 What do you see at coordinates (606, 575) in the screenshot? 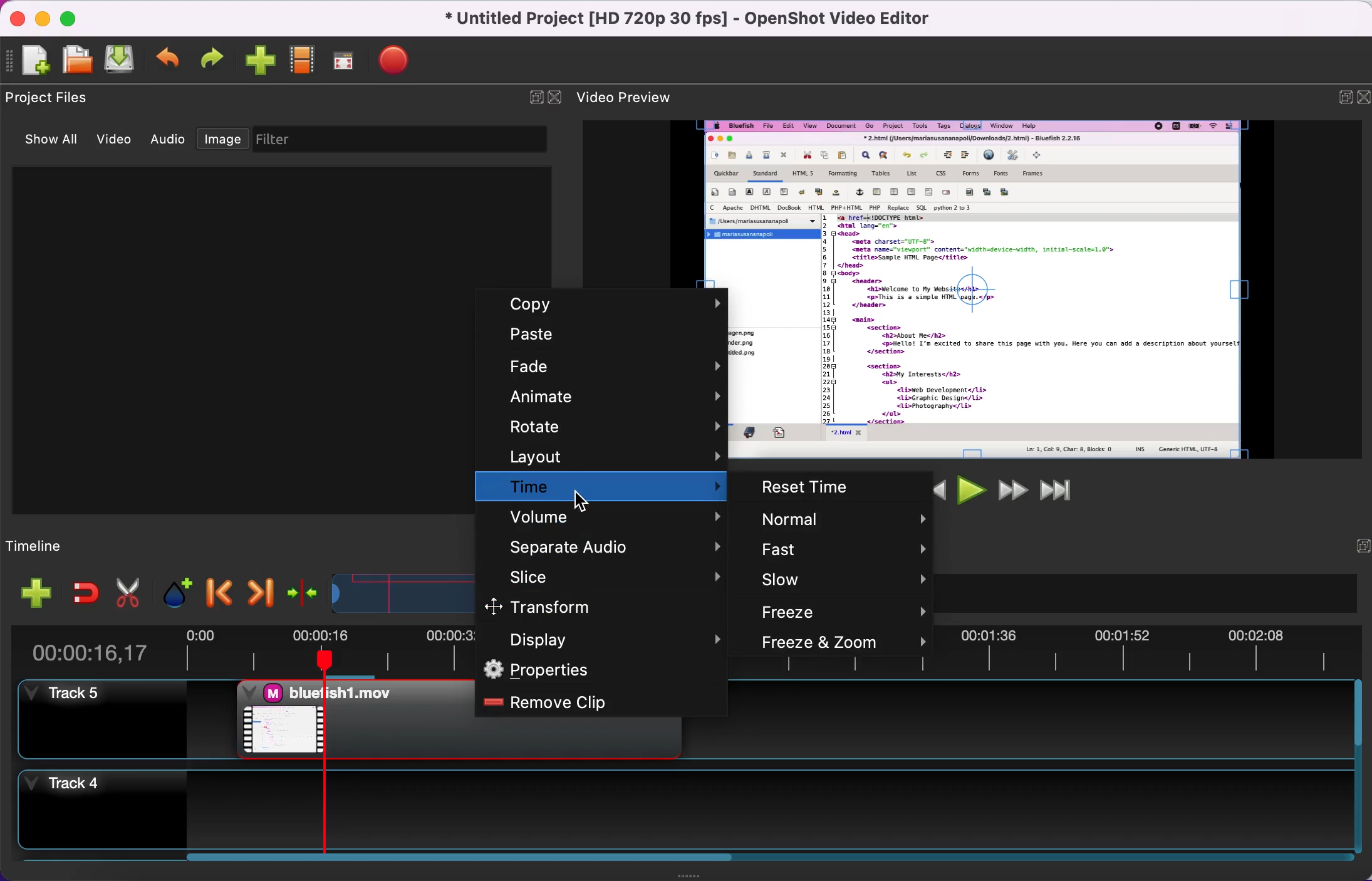
I see `slice` at bounding box center [606, 575].